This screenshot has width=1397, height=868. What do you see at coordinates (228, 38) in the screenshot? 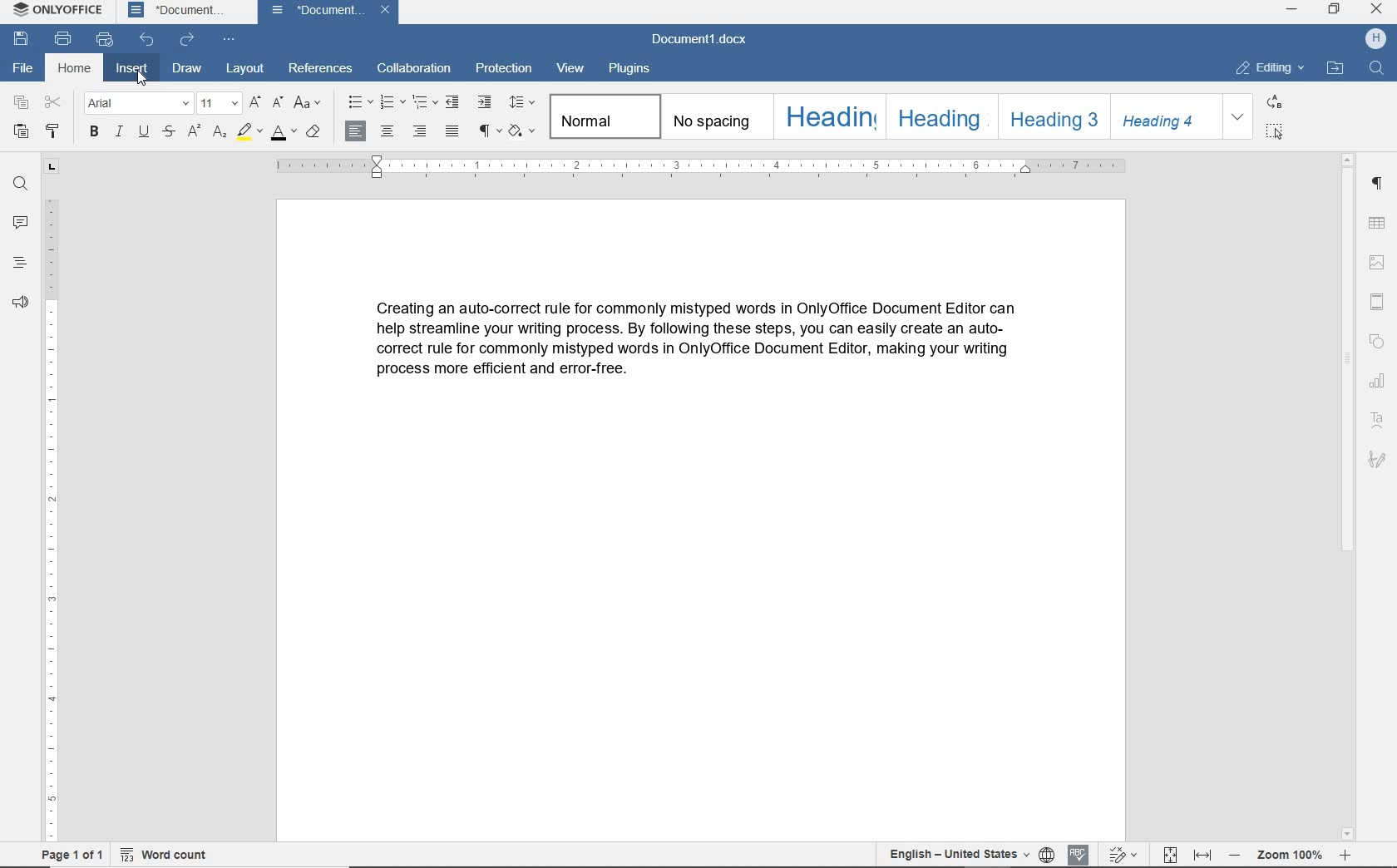
I see `customize quick access toolbar` at bounding box center [228, 38].